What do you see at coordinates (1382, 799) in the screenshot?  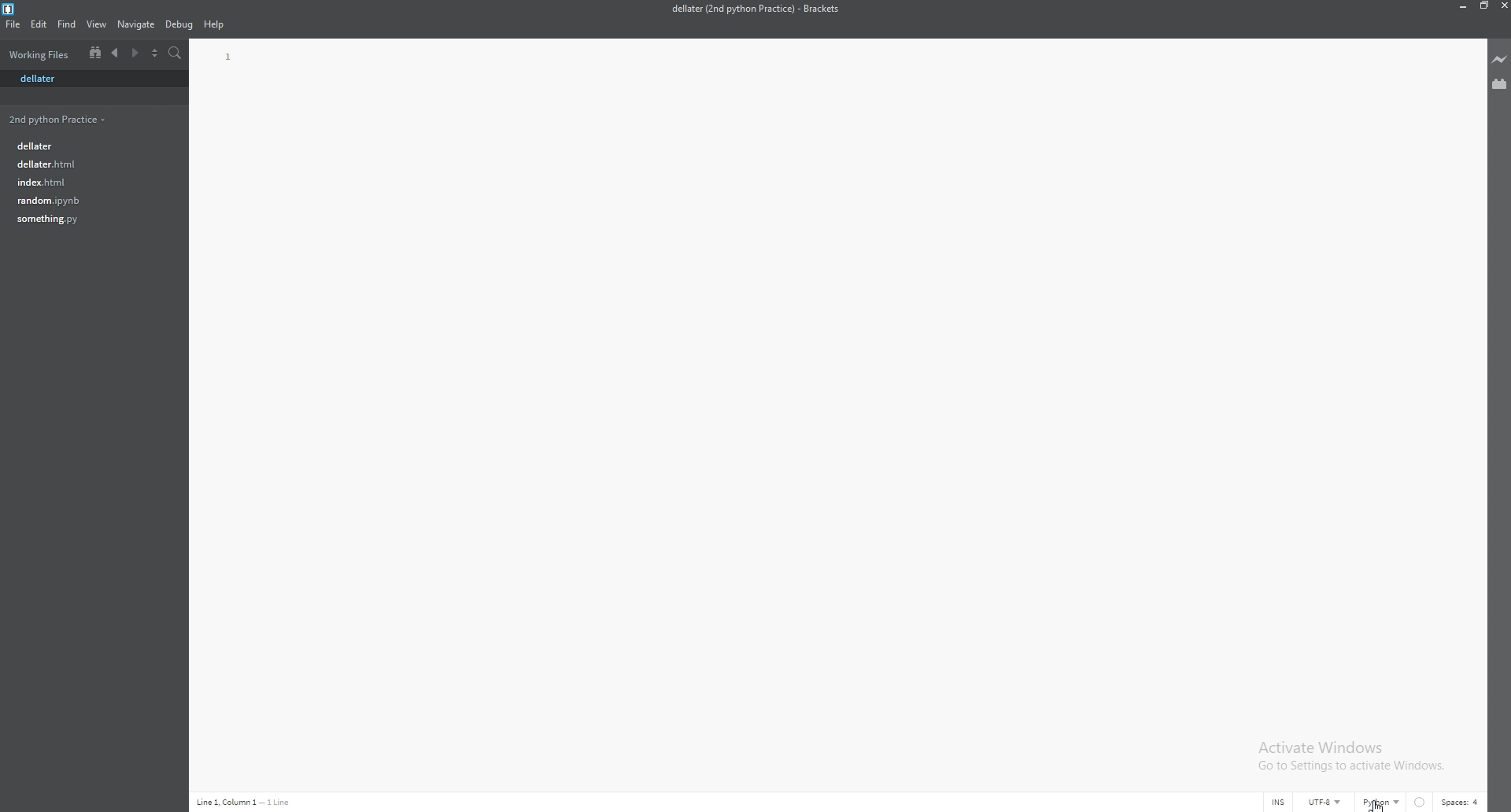 I see `CURSOR` at bounding box center [1382, 799].